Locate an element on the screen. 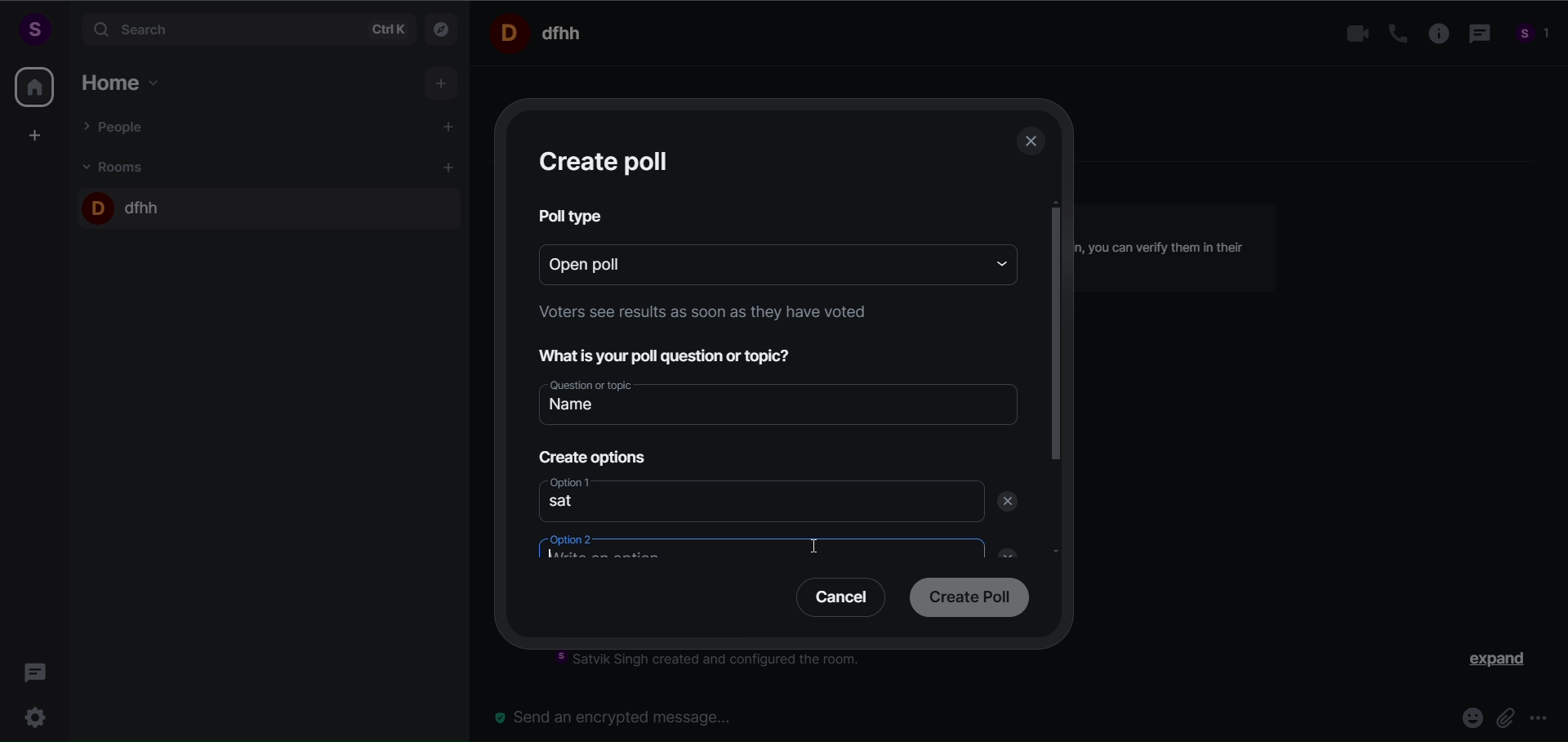  send an encrypted message is located at coordinates (621, 717).